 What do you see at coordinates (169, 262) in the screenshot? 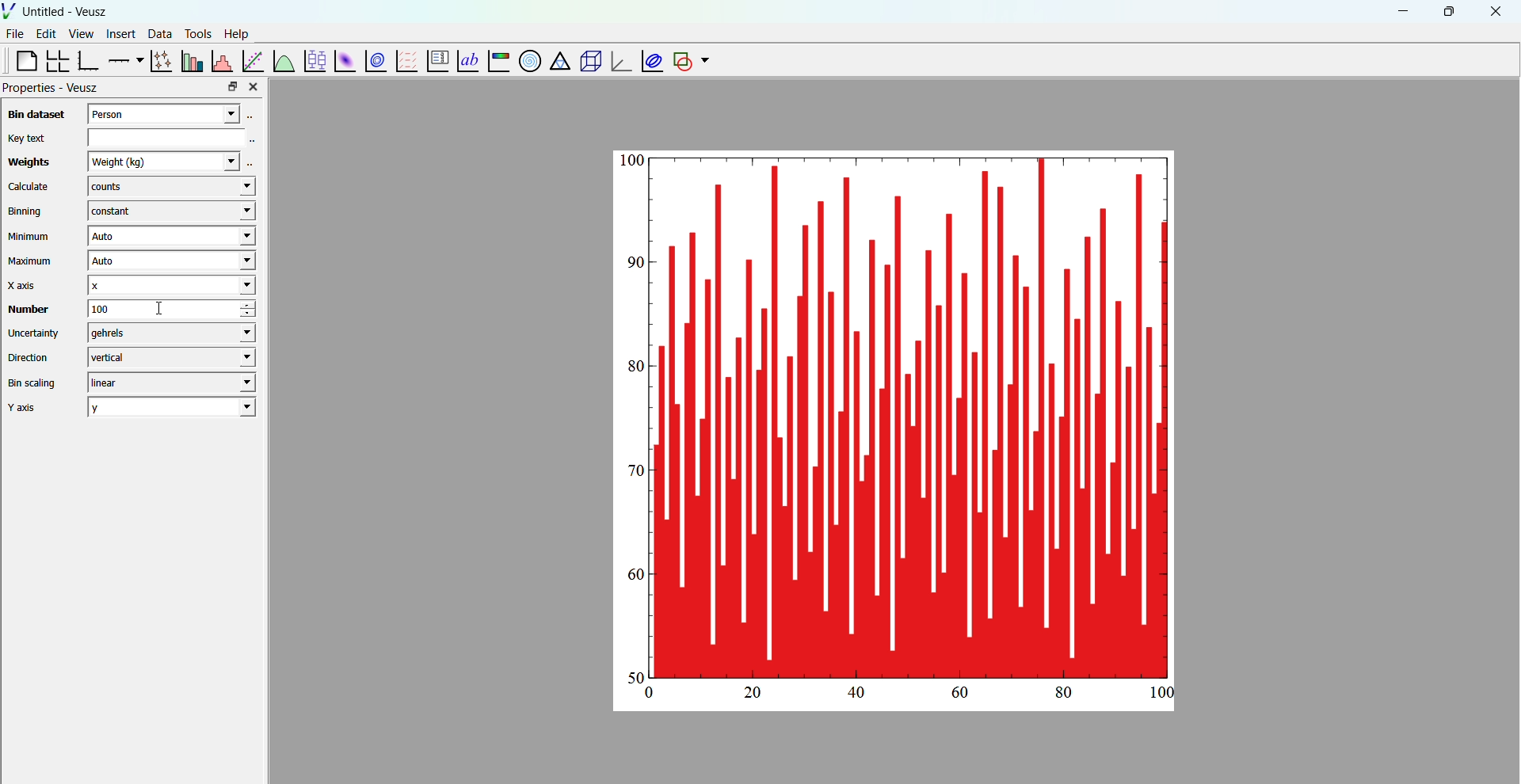
I see `Auto ` at bounding box center [169, 262].